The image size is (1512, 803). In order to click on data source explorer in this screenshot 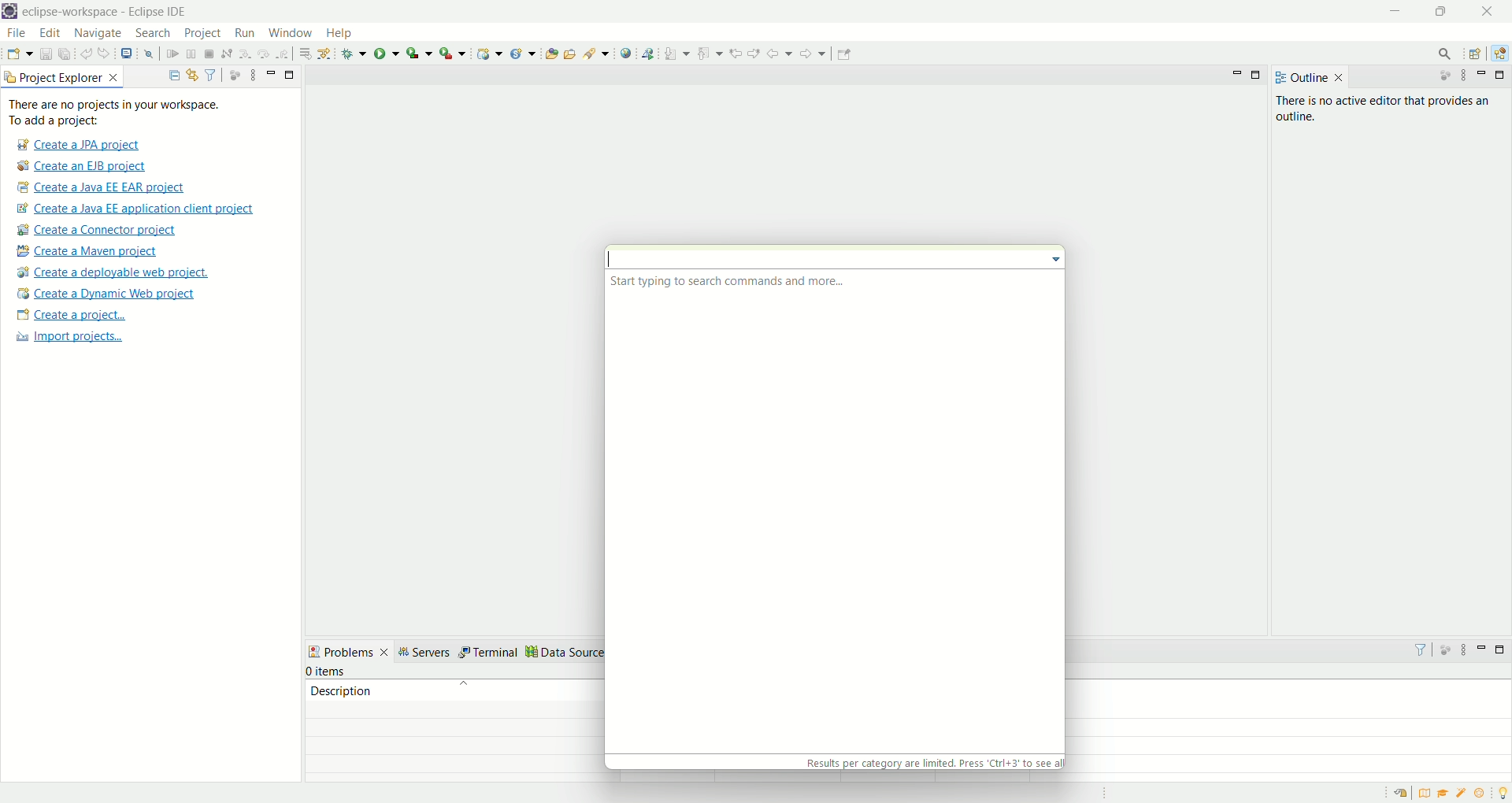, I will do `click(589, 653)`.